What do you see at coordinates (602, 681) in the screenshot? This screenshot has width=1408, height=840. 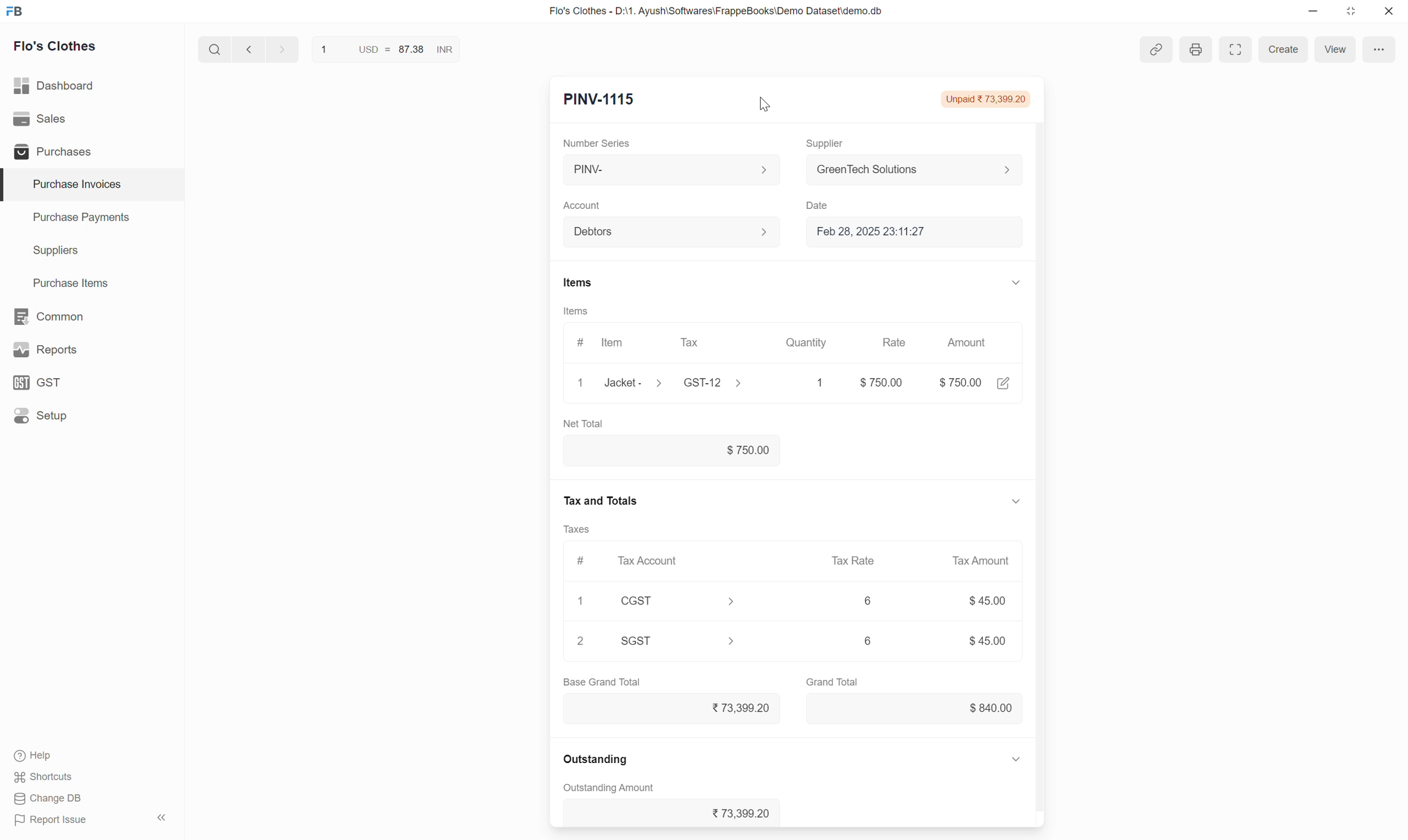 I see `Base Grand Total` at bounding box center [602, 681].